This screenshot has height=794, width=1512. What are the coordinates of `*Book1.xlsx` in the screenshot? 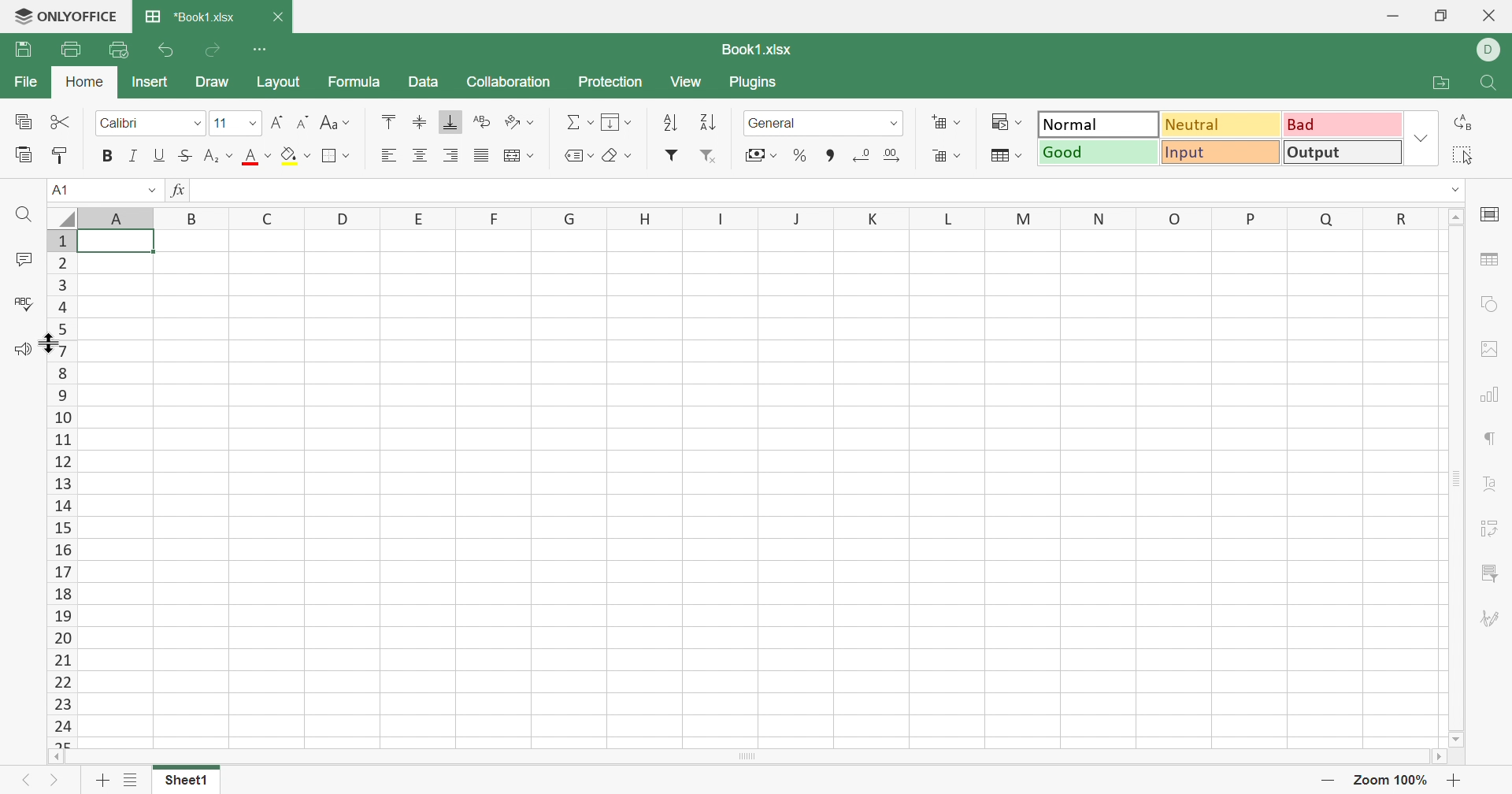 It's located at (190, 14).